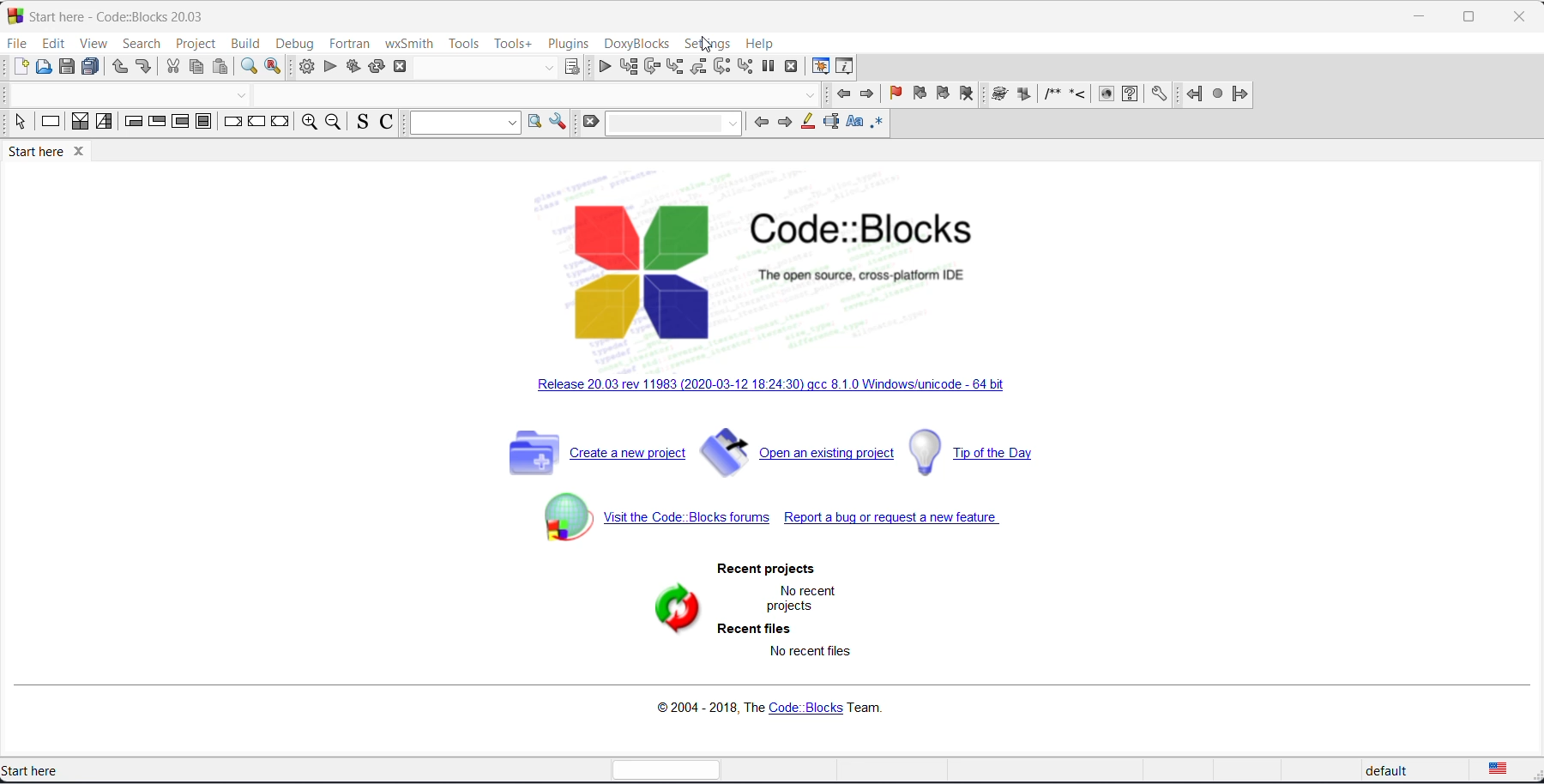 Image resolution: width=1544 pixels, height=784 pixels. What do you see at coordinates (756, 630) in the screenshot?
I see `recent files` at bounding box center [756, 630].